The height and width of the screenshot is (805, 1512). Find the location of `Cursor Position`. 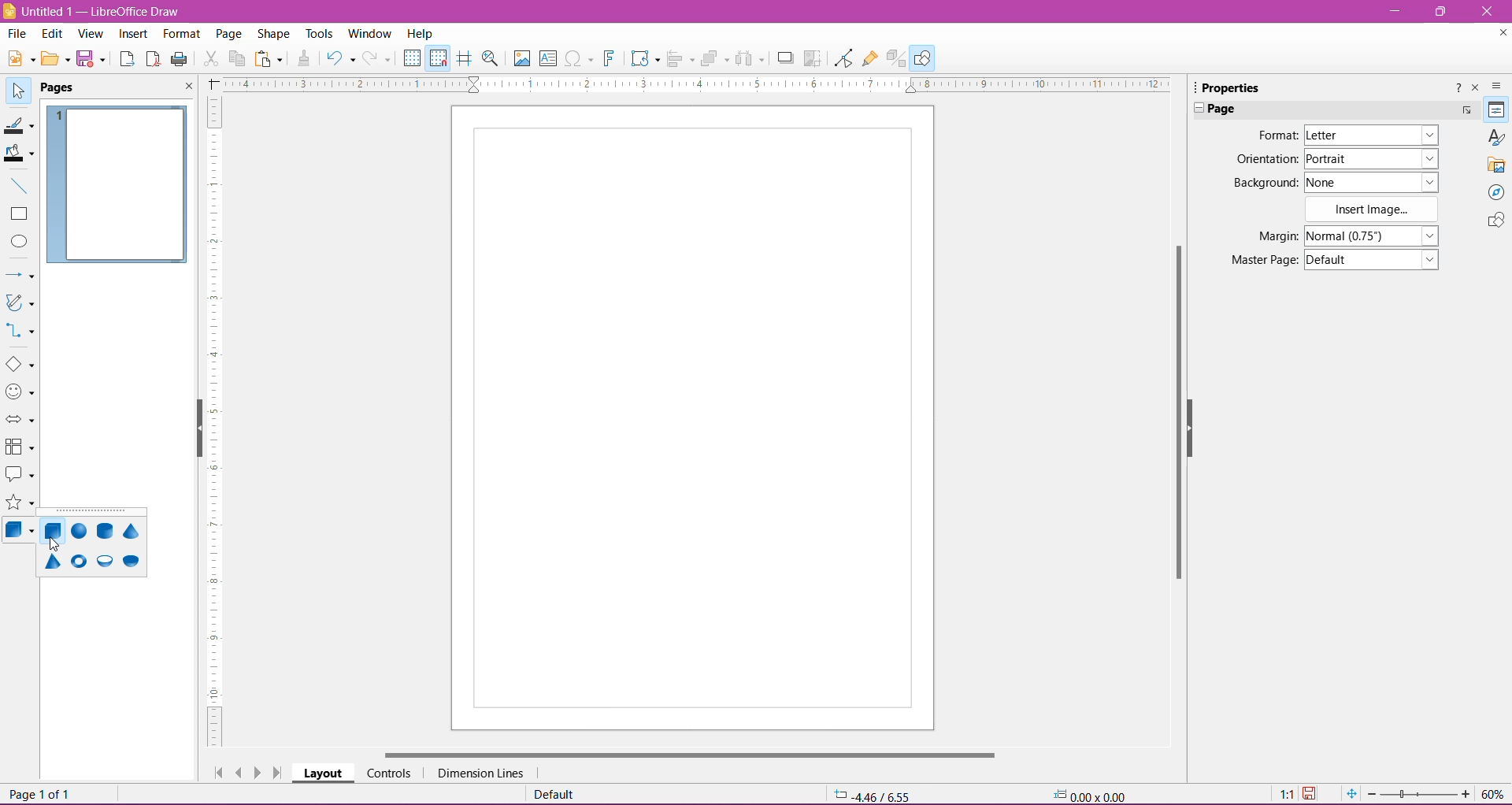

Cursor Position is located at coordinates (874, 795).